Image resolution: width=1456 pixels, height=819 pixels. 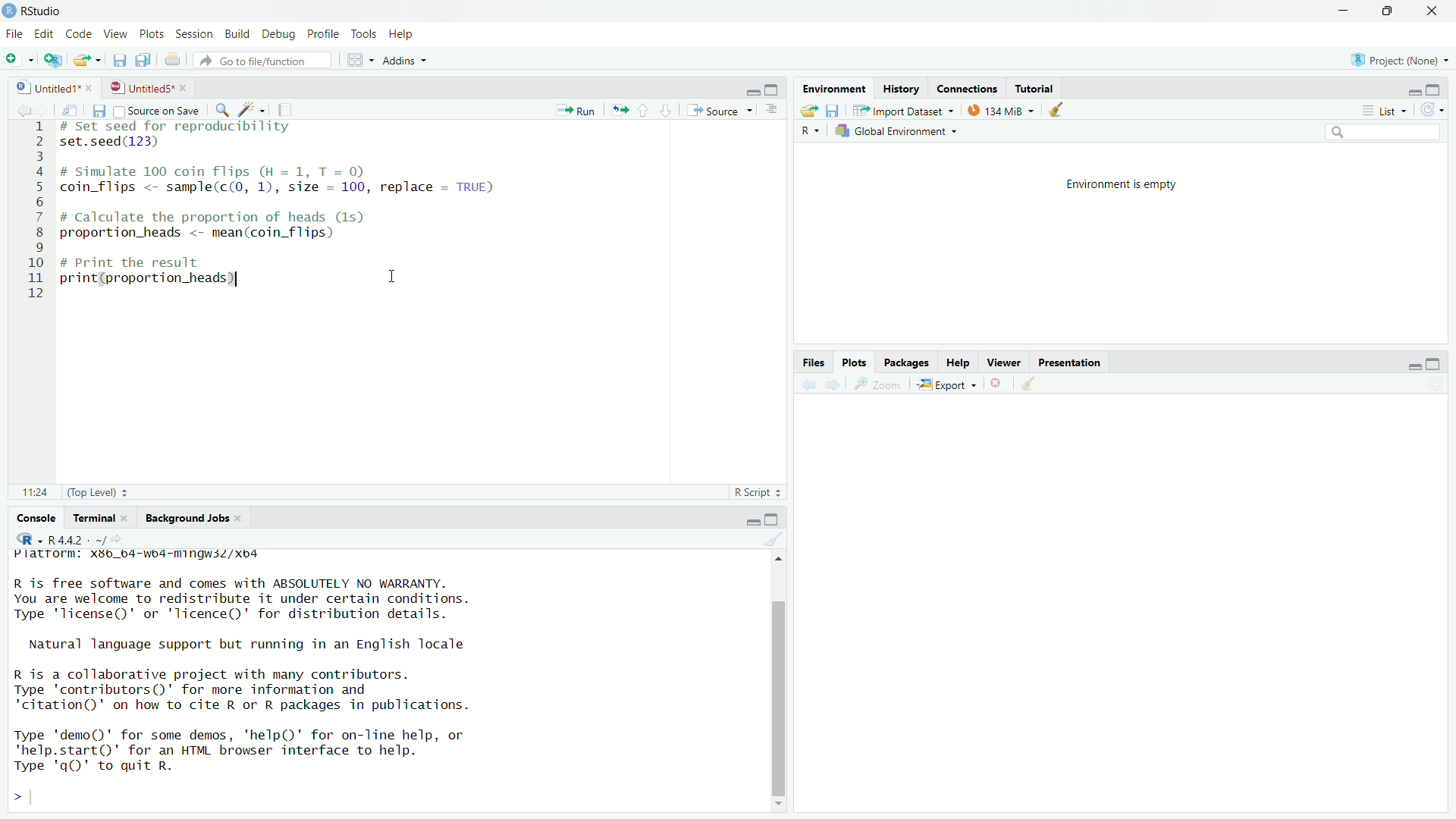 I want to click on RStudio, so click(x=43, y=9).